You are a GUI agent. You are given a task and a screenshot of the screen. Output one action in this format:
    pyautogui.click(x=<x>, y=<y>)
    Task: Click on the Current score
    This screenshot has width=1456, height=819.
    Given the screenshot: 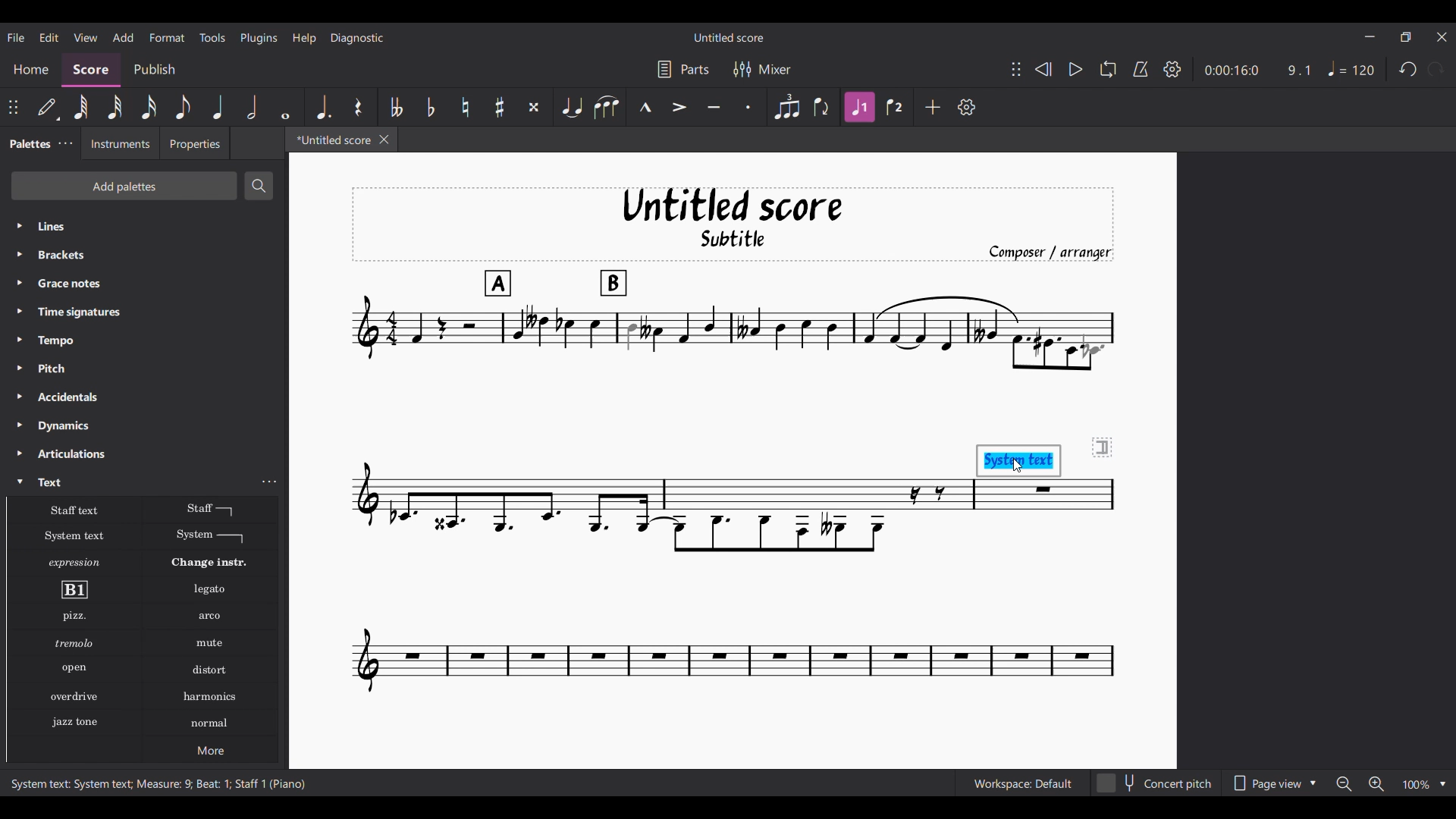 What is the action you would take?
    pyautogui.click(x=1037, y=587)
    